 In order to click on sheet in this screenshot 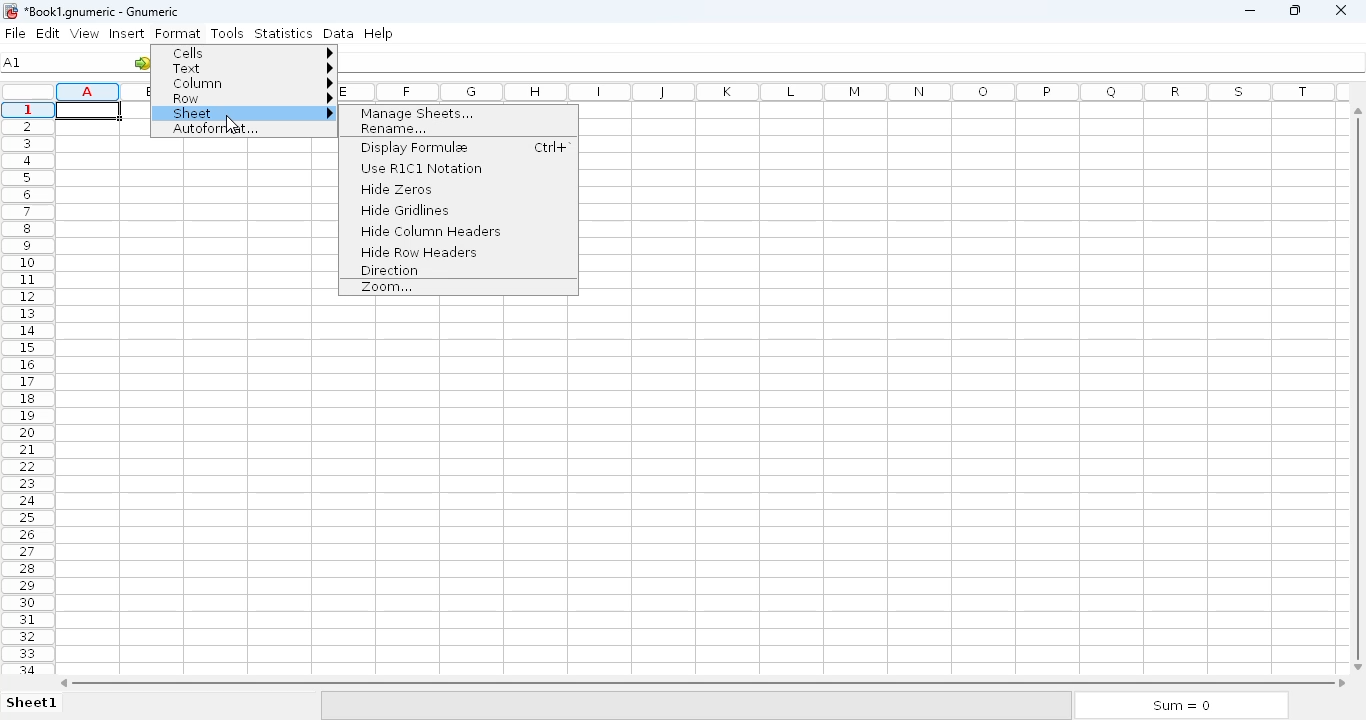, I will do `click(247, 114)`.